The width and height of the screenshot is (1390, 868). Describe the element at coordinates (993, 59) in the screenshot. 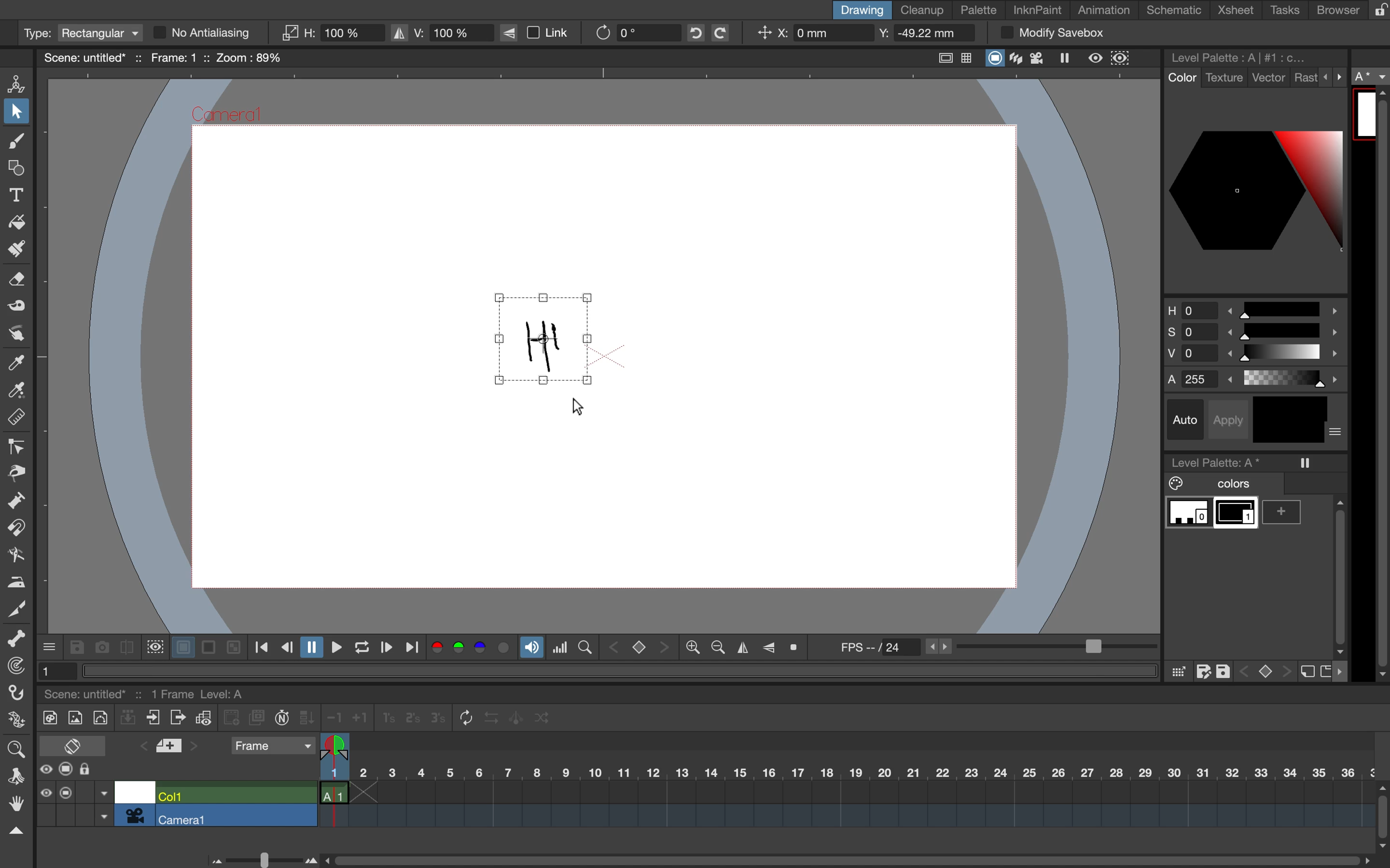

I see `camera stand view` at that location.